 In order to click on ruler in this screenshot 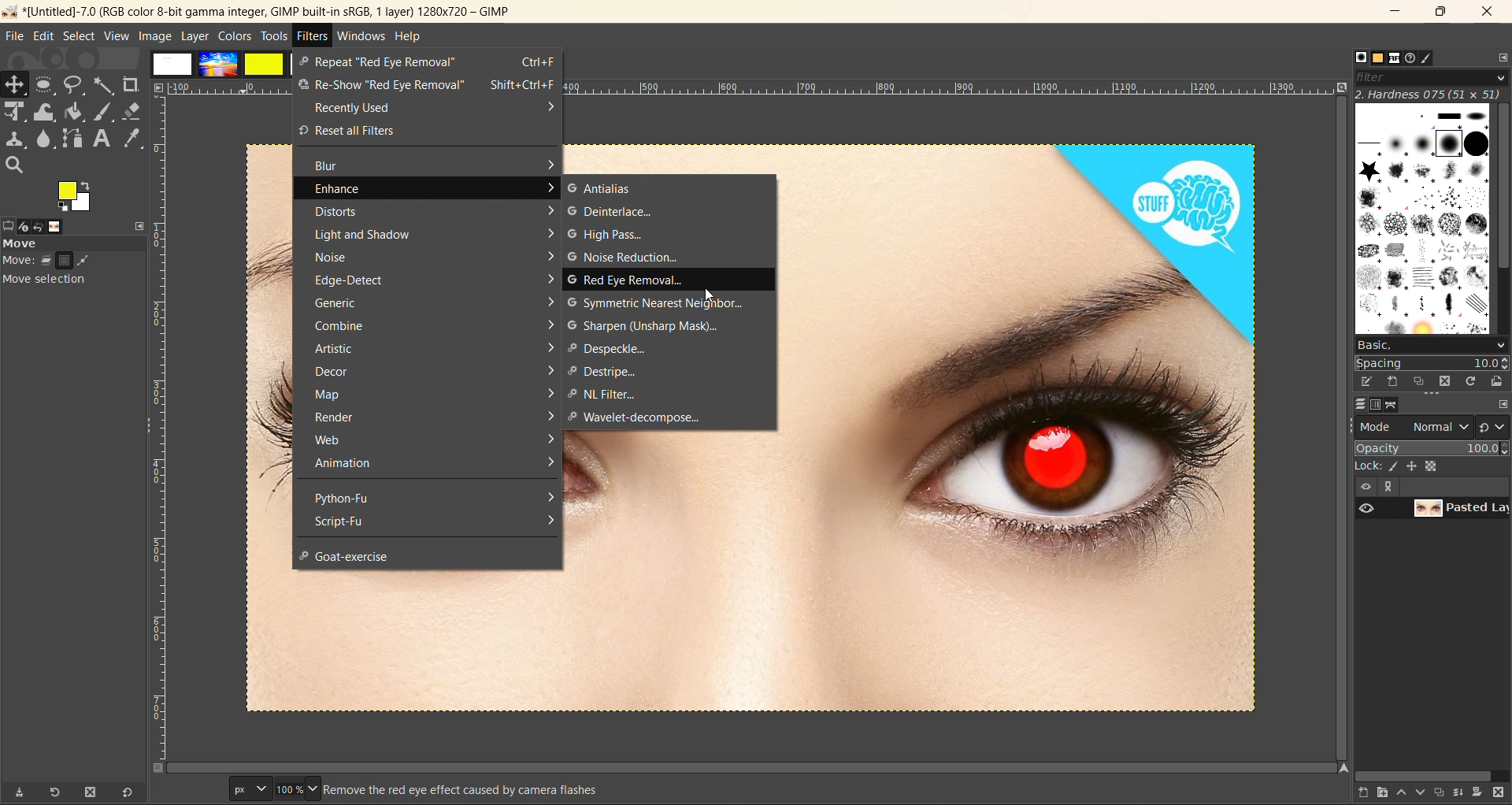, I will do `click(163, 427)`.